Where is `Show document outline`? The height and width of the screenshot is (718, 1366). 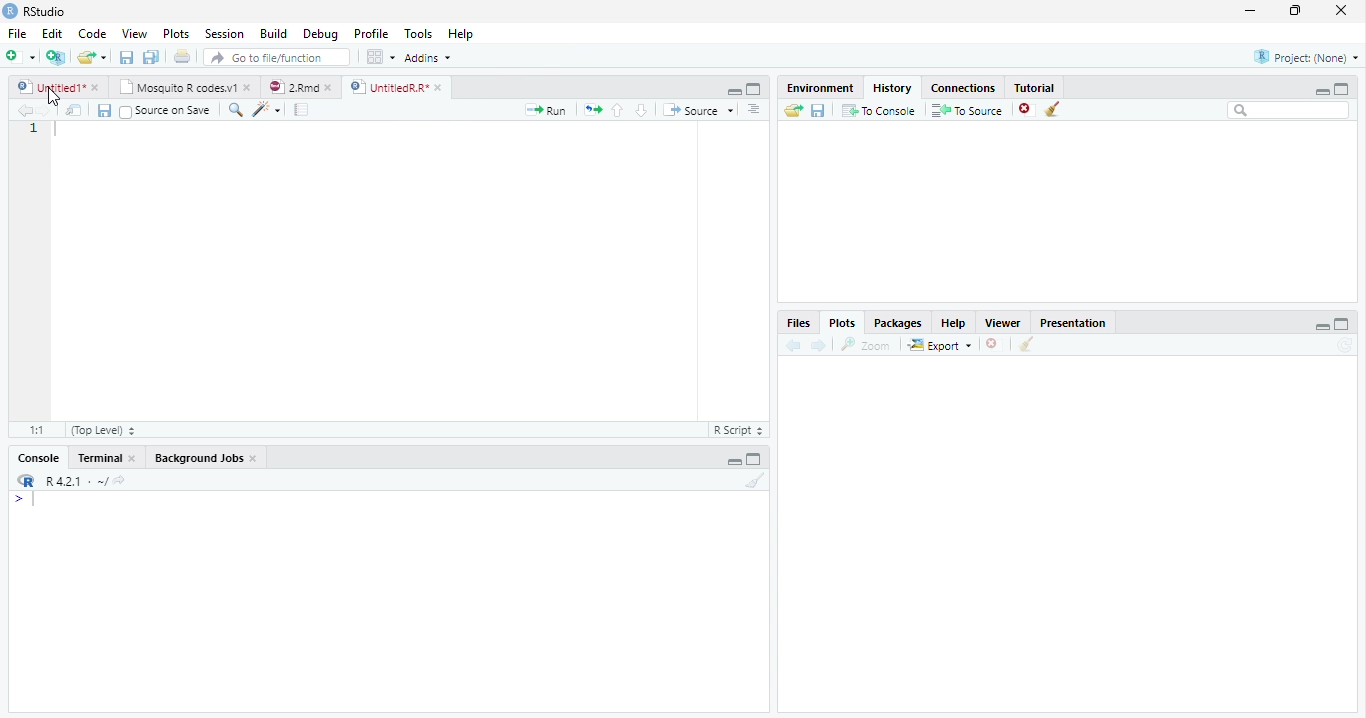 Show document outline is located at coordinates (754, 111).